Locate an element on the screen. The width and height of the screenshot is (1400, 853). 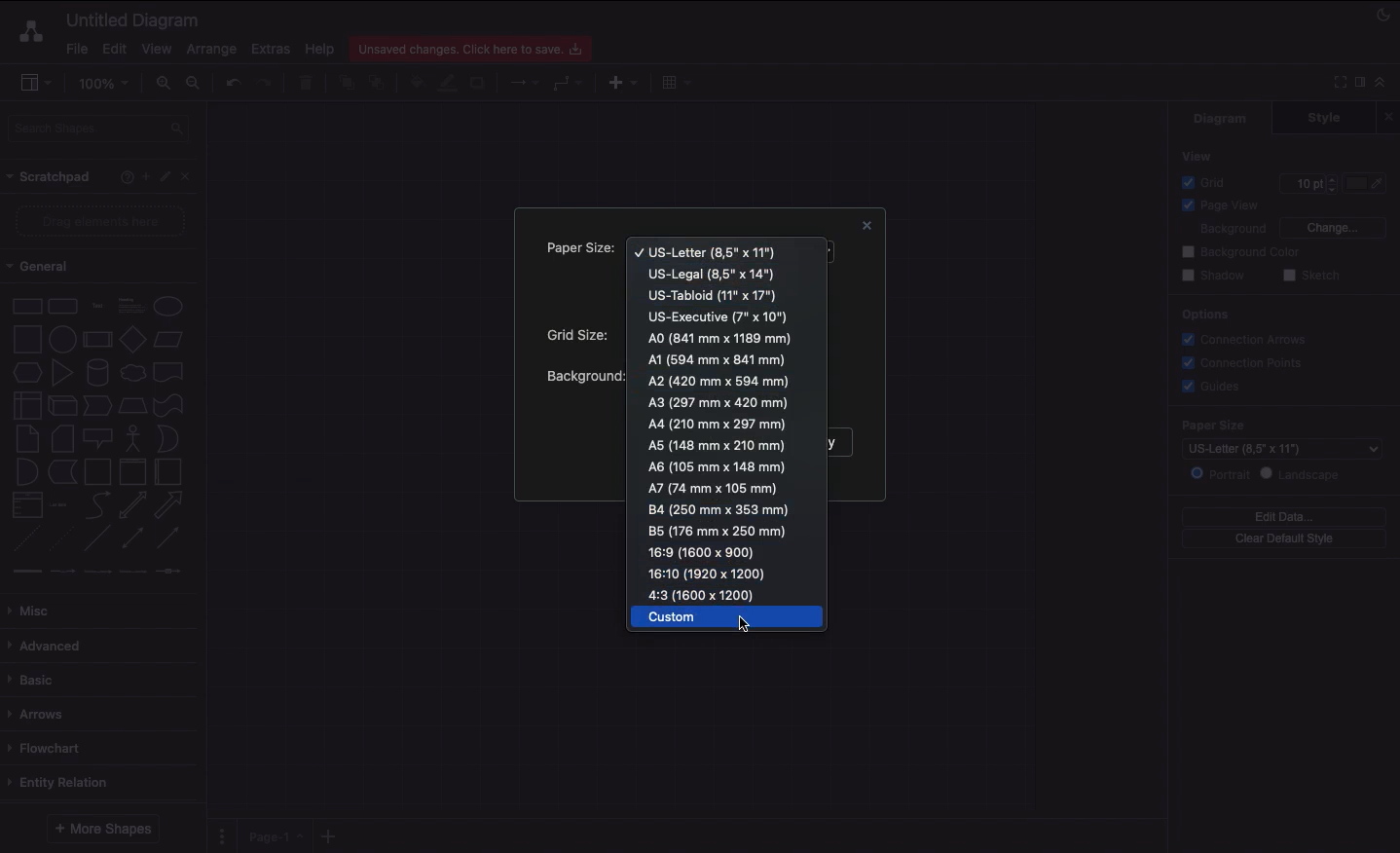
Style is located at coordinates (1326, 117).